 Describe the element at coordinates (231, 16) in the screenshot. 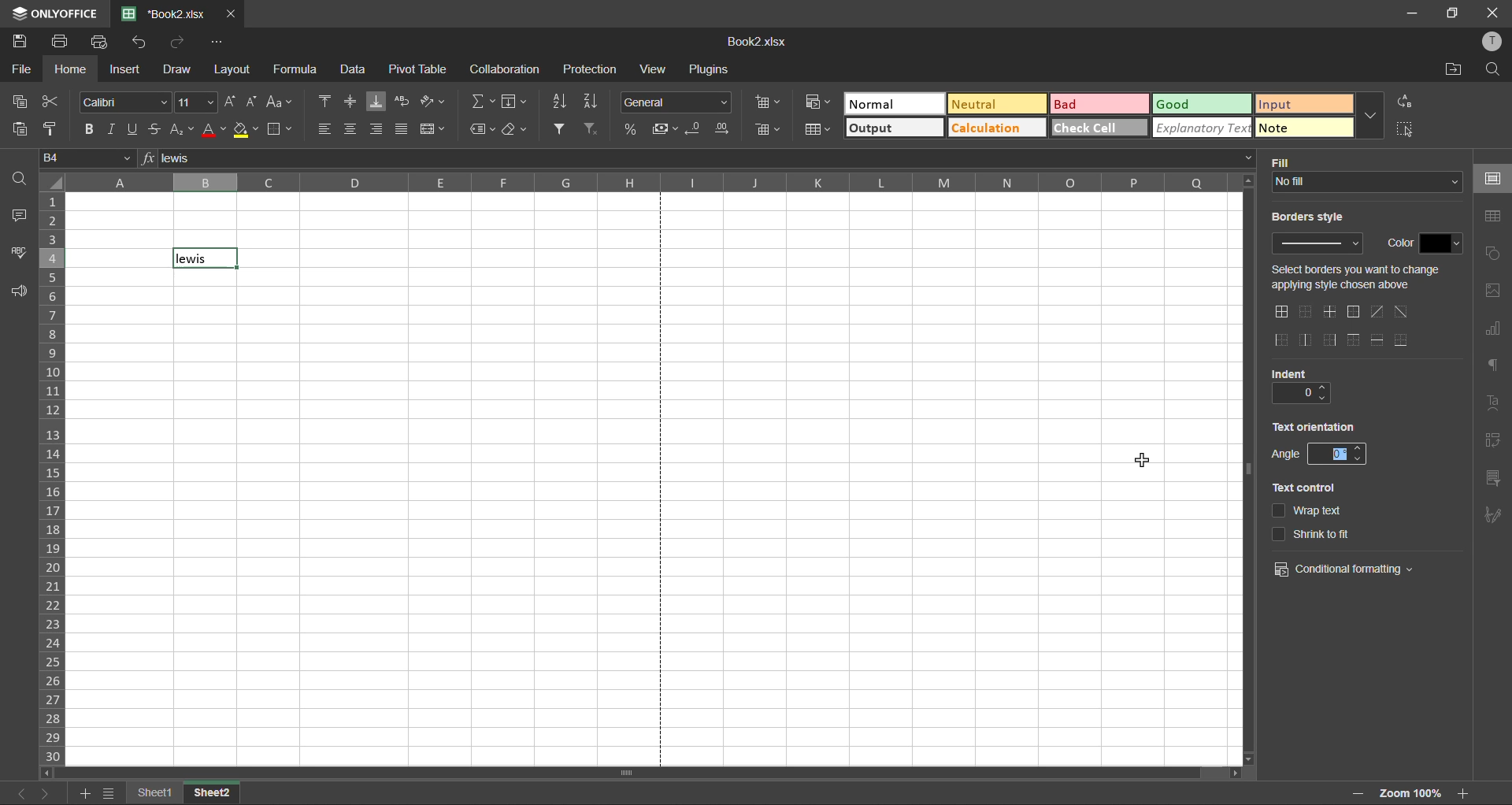

I see `close tab` at that location.